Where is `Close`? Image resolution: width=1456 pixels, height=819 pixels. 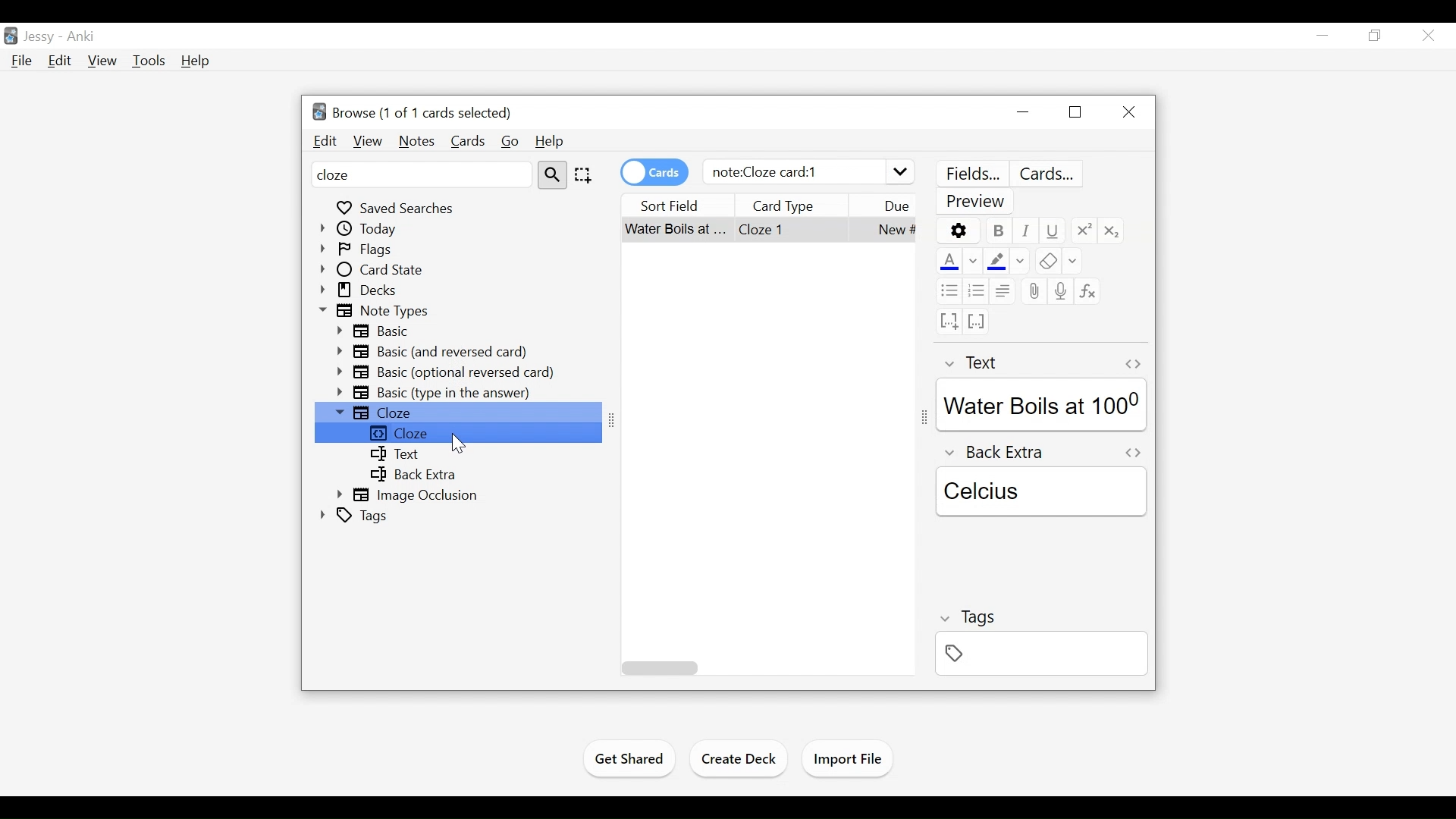 Close is located at coordinates (1430, 36).